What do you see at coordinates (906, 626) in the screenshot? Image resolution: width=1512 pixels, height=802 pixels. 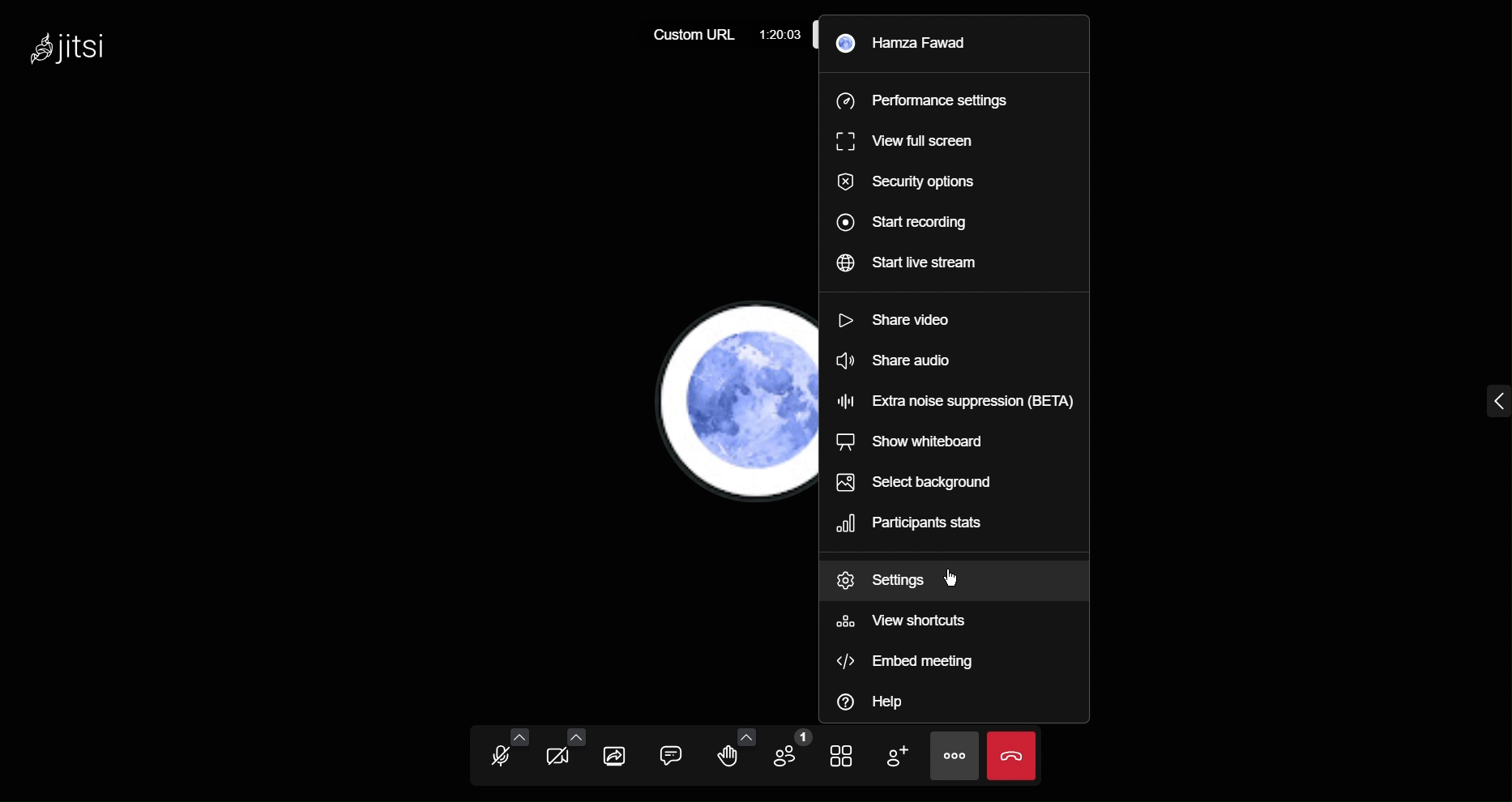 I see `View shortcuts` at bounding box center [906, 626].